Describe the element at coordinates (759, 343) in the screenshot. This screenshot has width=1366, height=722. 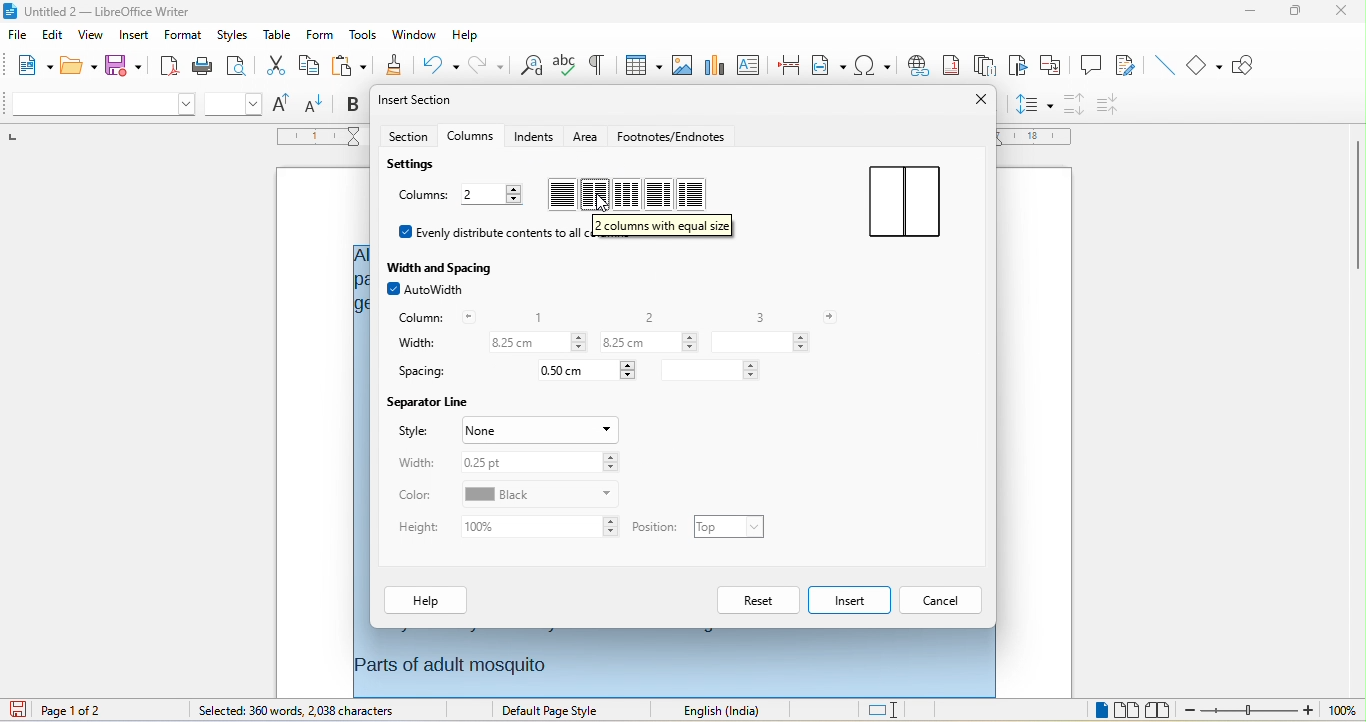
I see `column 3 width` at that location.